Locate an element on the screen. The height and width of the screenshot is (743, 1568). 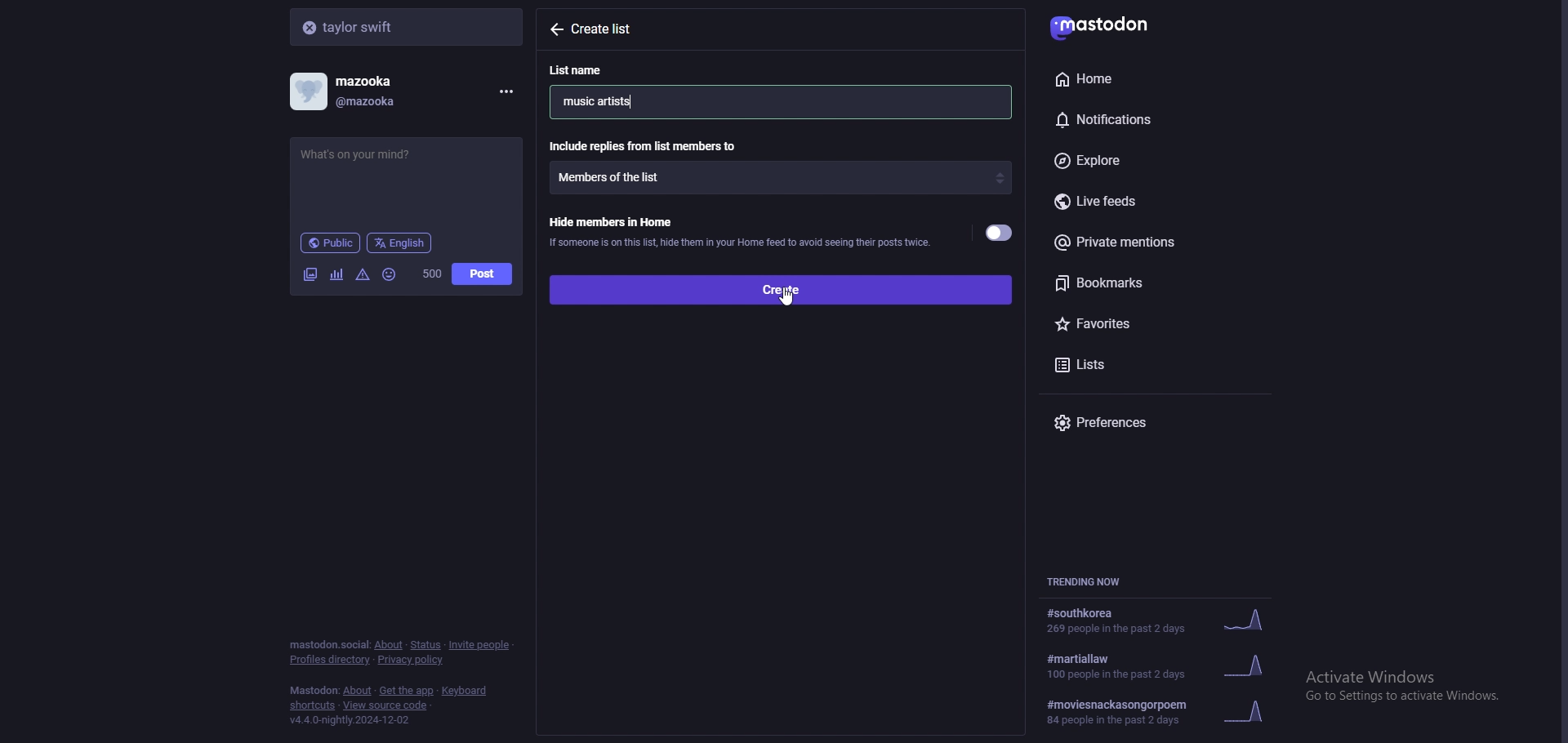
toggle is located at coordinates (1000, 234).